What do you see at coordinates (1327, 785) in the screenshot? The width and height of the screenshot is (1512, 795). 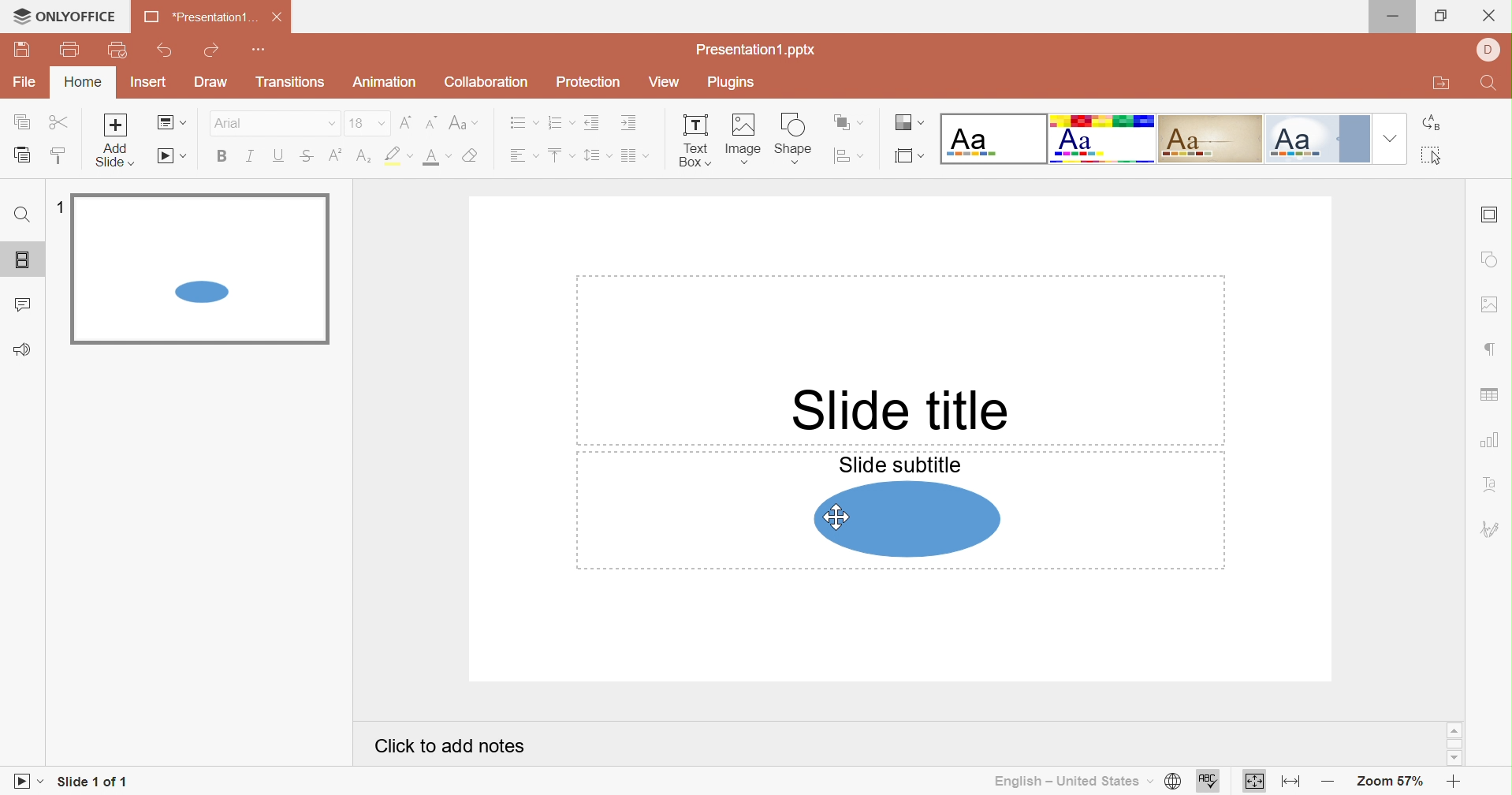 I see `Zoom out` at bounding box center [1327, 785].